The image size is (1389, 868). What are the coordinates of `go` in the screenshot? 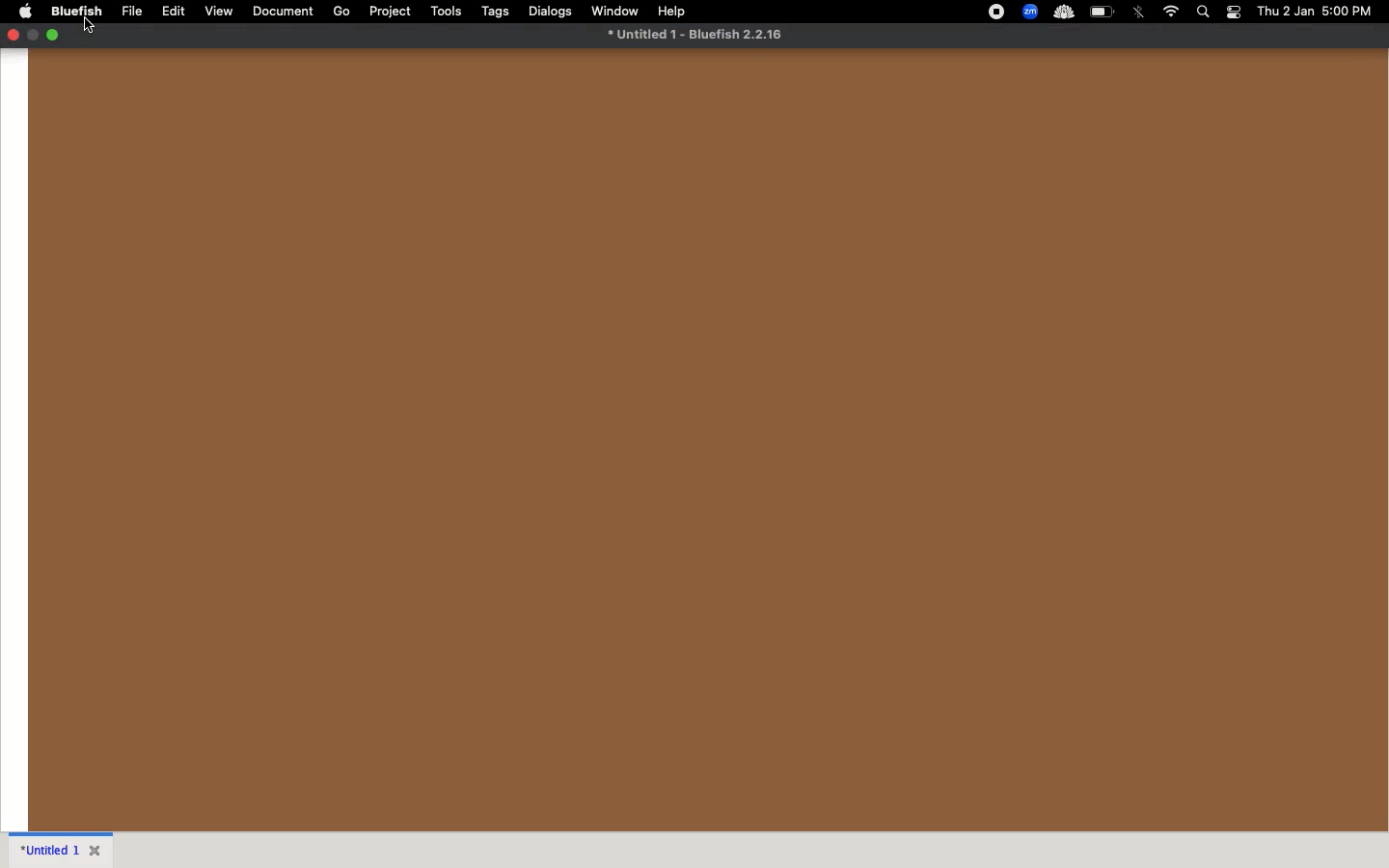 It's located at (342, 10).